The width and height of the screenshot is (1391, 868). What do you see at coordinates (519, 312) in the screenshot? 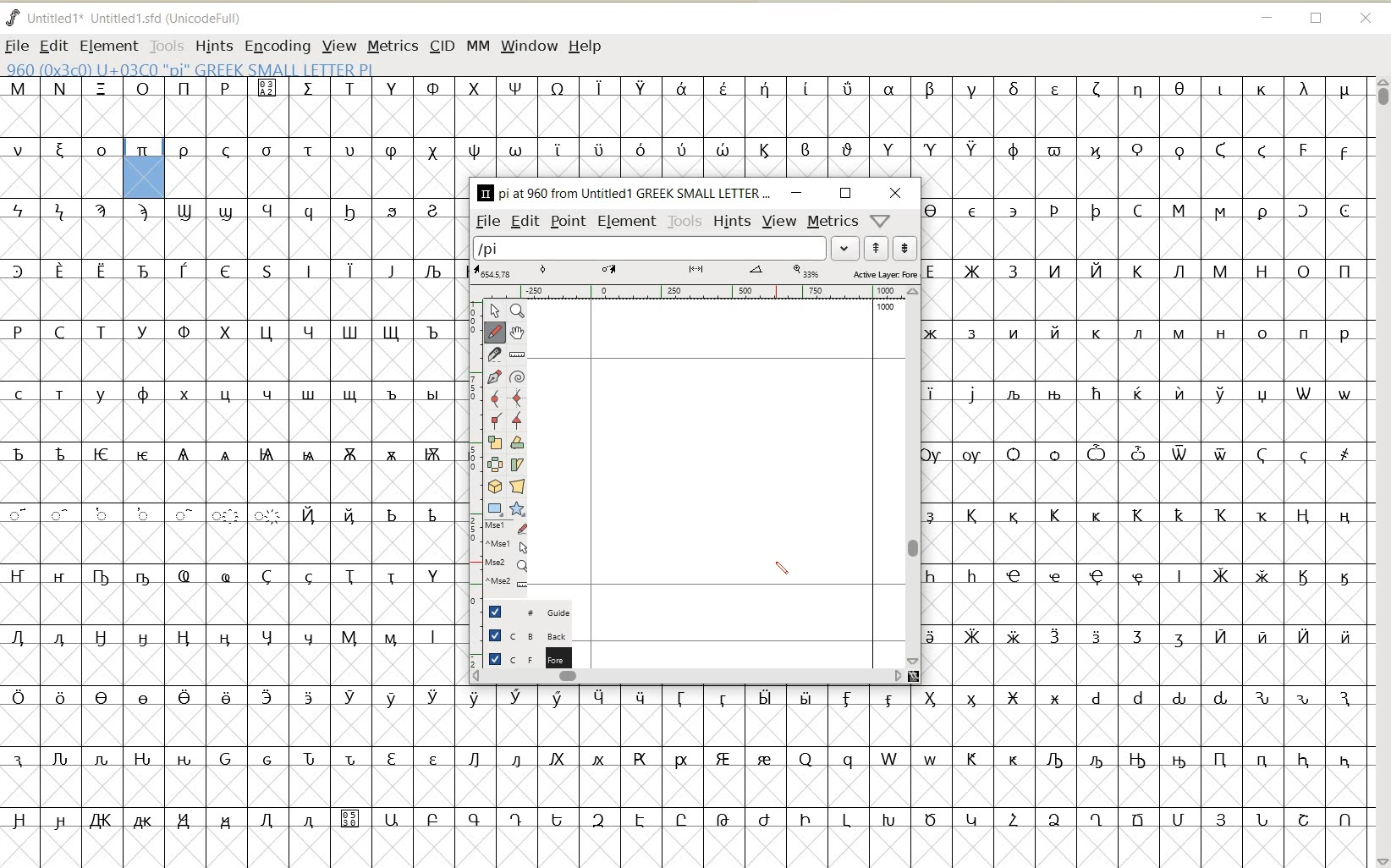
I see `Magnify` at bounding box center [519, 312].